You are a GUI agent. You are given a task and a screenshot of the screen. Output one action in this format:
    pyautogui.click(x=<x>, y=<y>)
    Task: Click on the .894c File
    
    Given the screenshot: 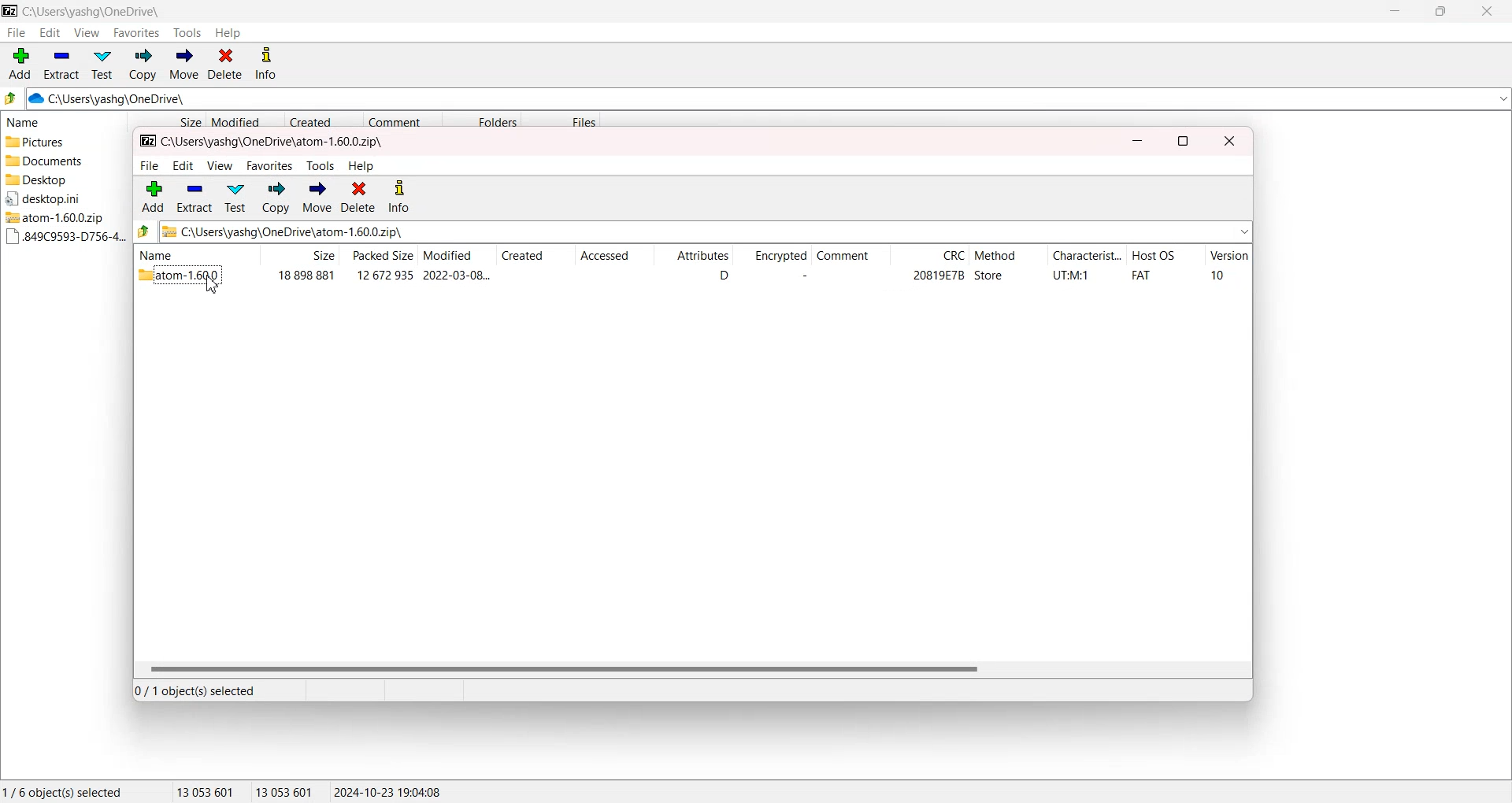 What is the action you would take?
    pyautogui.click(x=62, y=237)
    